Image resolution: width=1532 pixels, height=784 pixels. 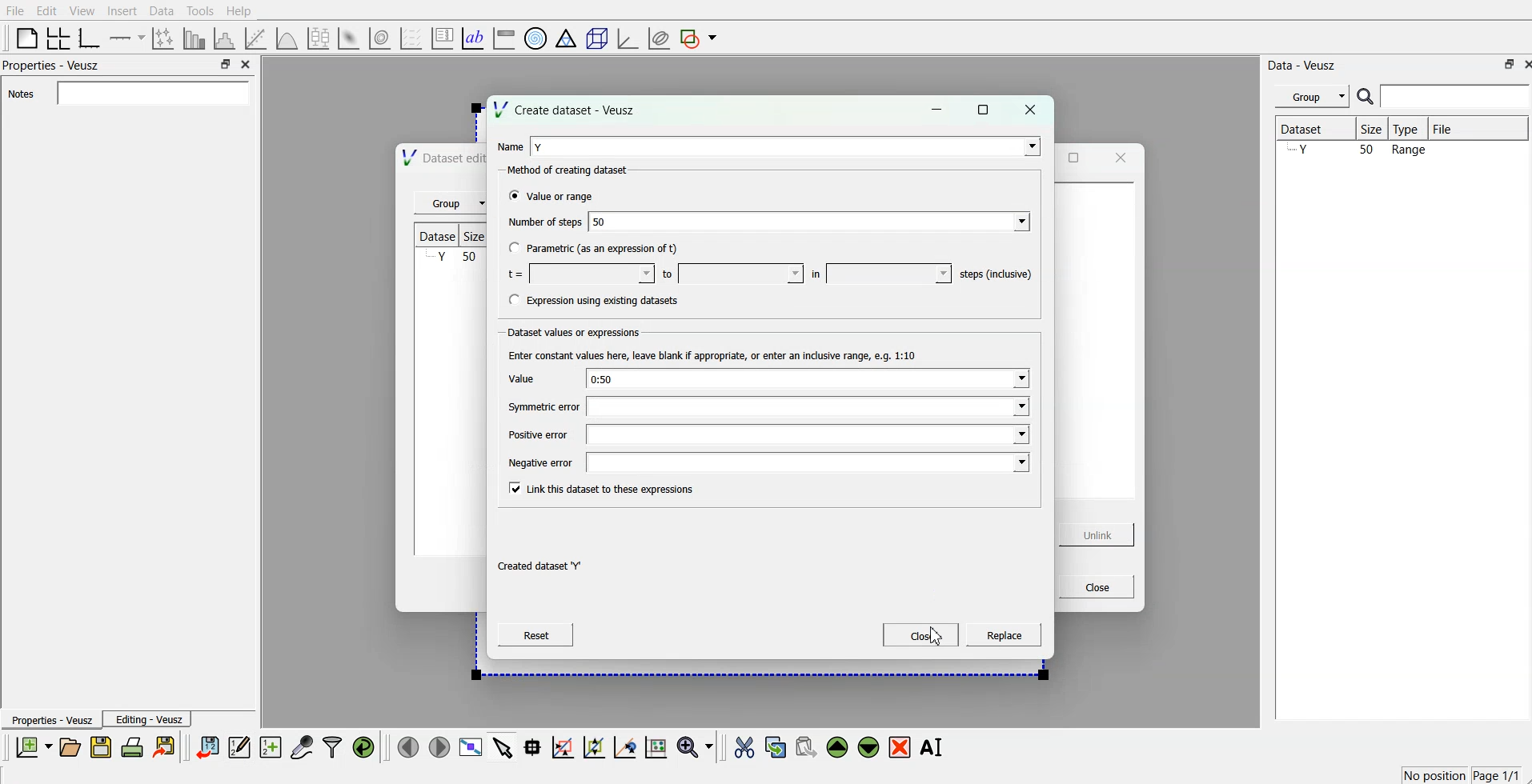 I want to click on edit and enter datapoints, so click(x=240, y=748).